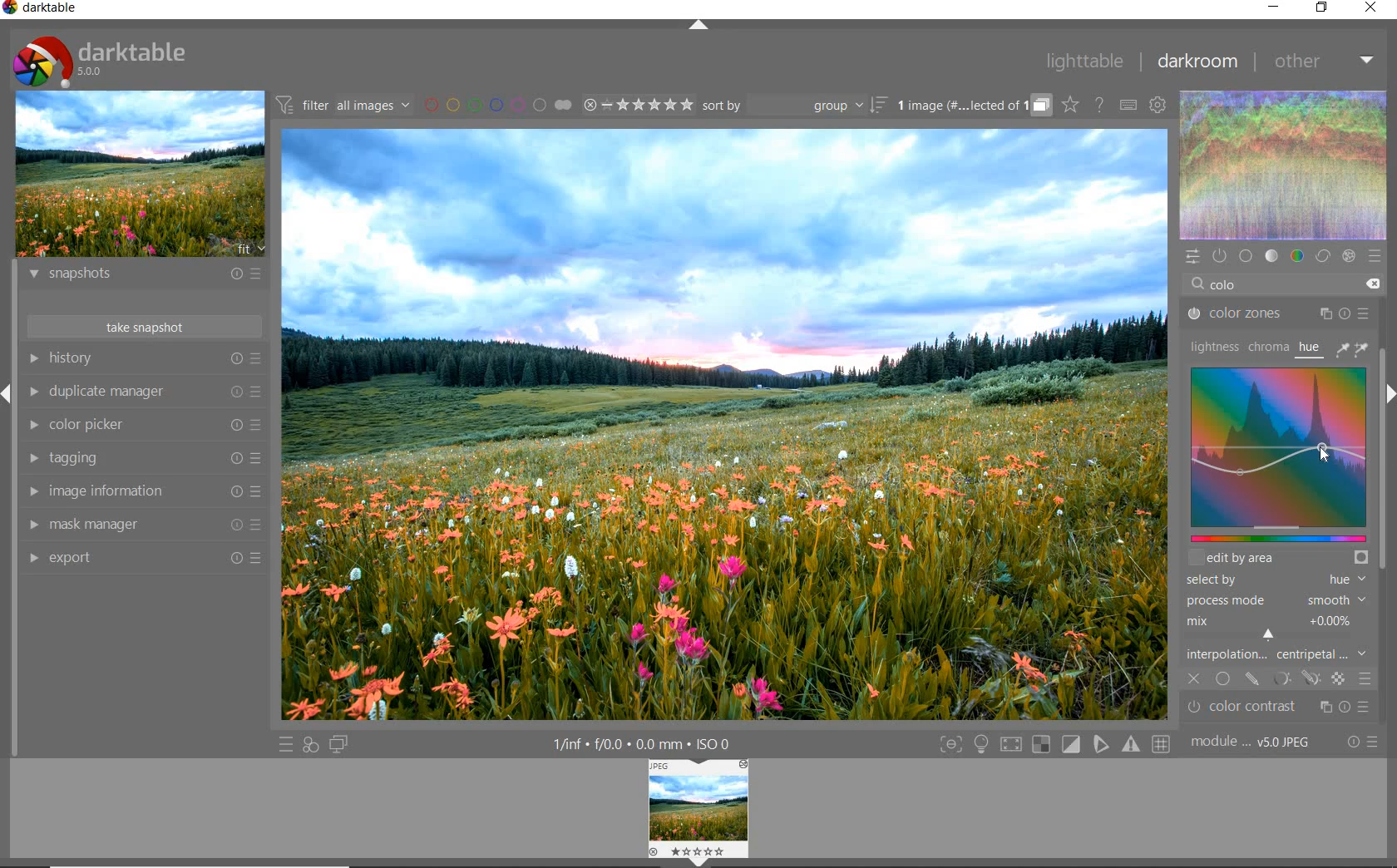  Describe the element at coordinates (1348, 257) in the screenshot. I see `effect` at that location.